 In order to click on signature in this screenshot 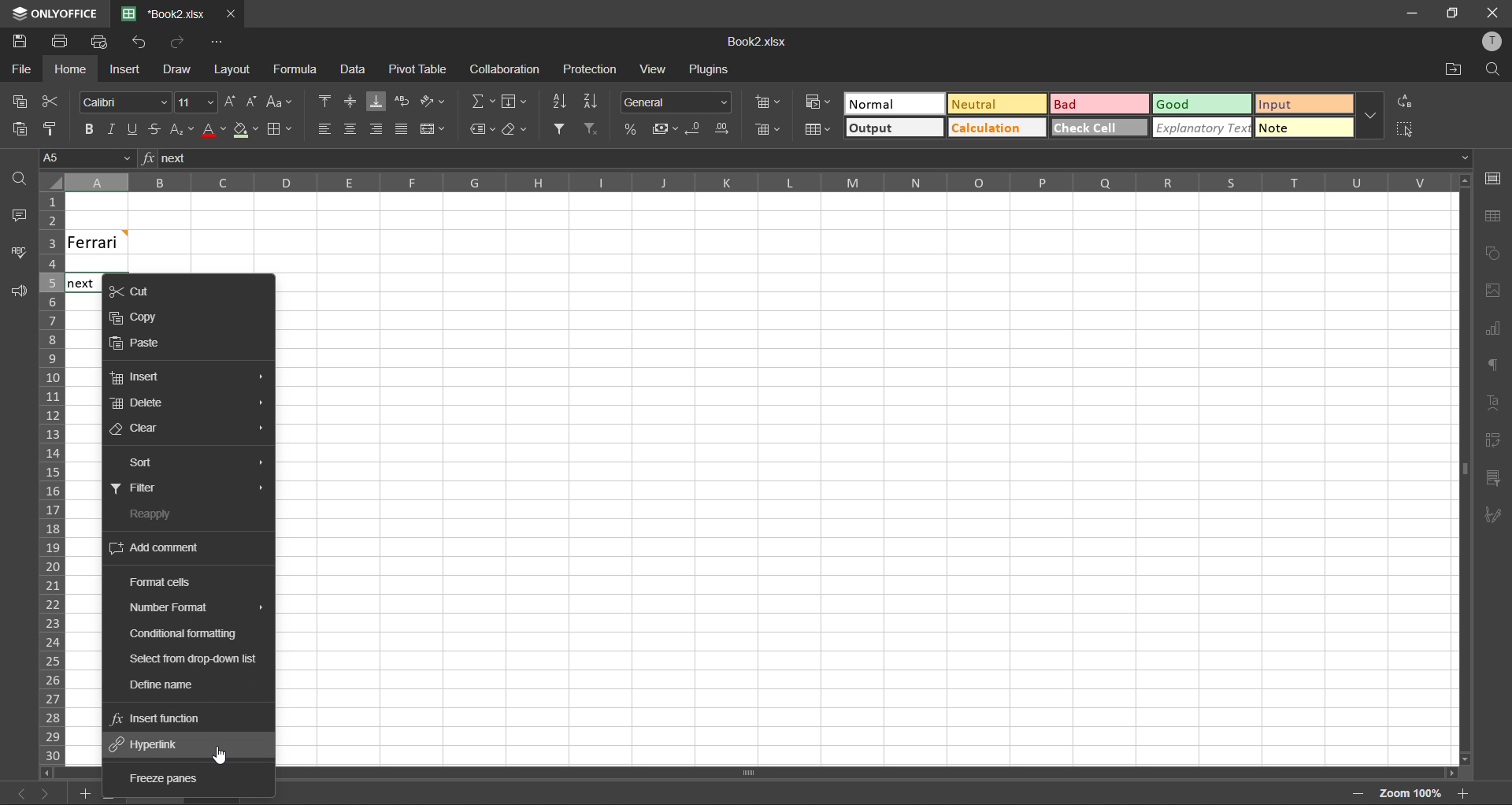, I will do `click(1490, 518)`.